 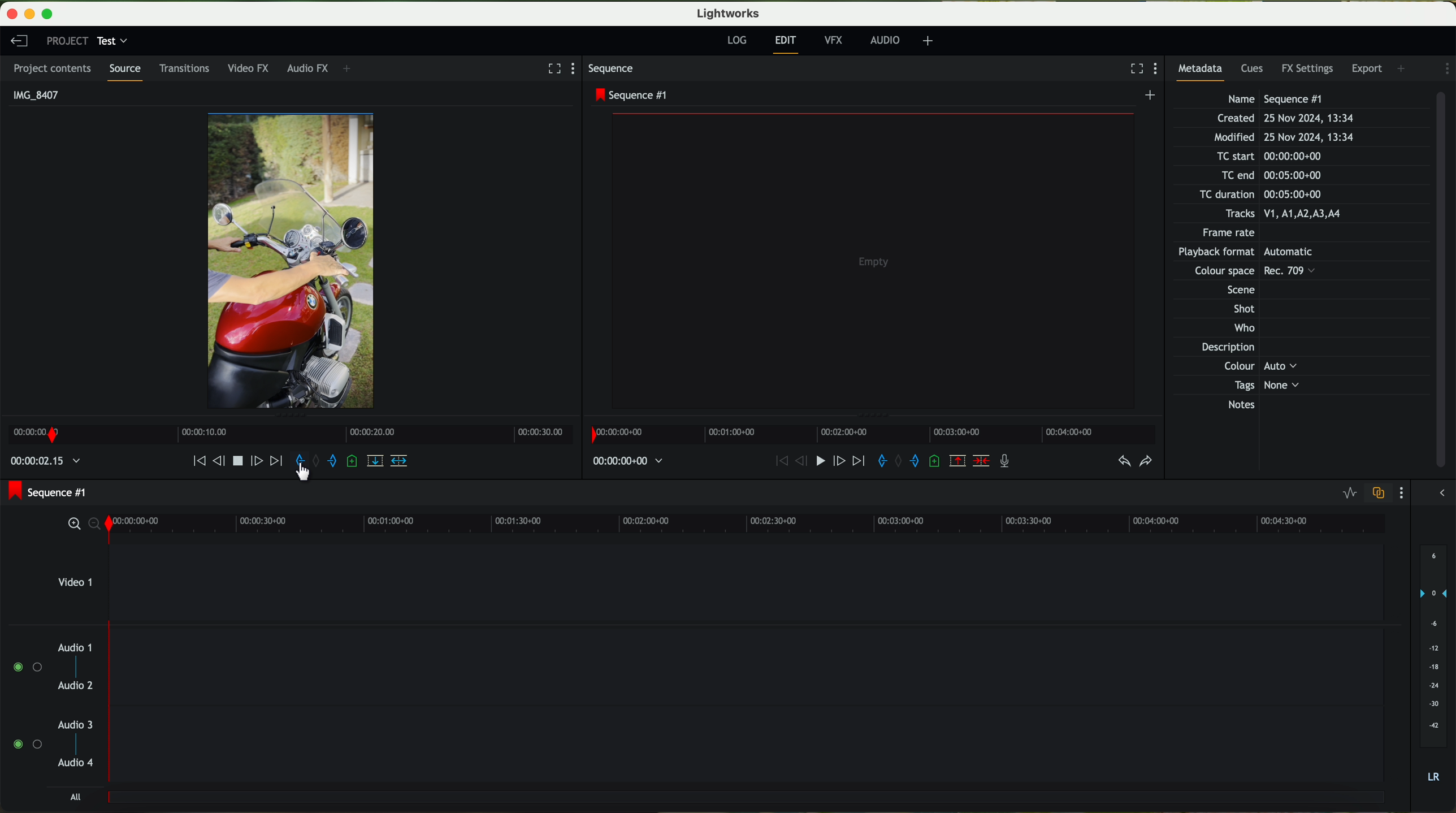 What do you see at coordinates (1258, 366) in the screenshot?
I see `` at bounding box center [1258, 366].